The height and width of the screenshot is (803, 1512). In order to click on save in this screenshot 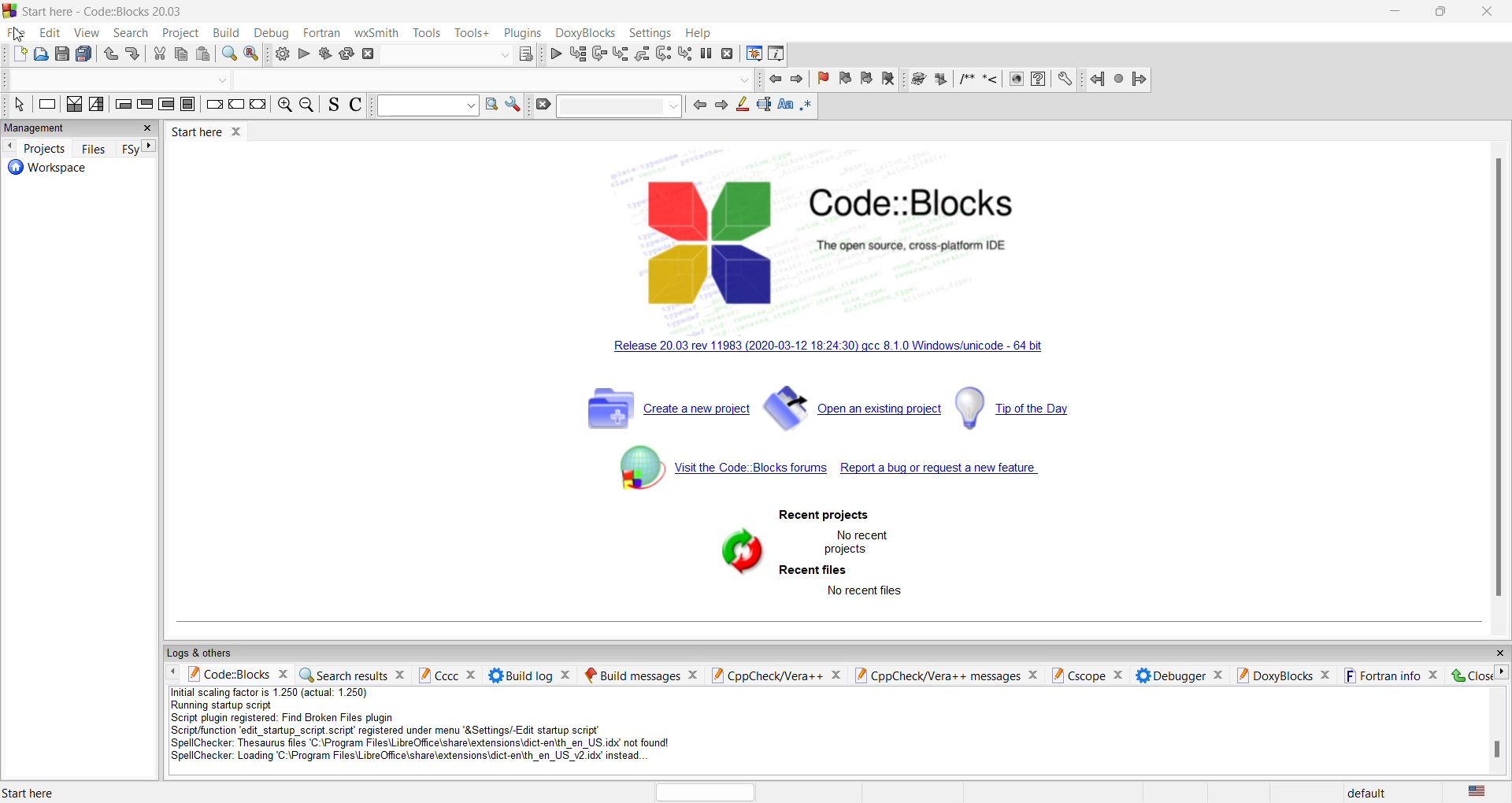, I will do `click(62, 54)`.